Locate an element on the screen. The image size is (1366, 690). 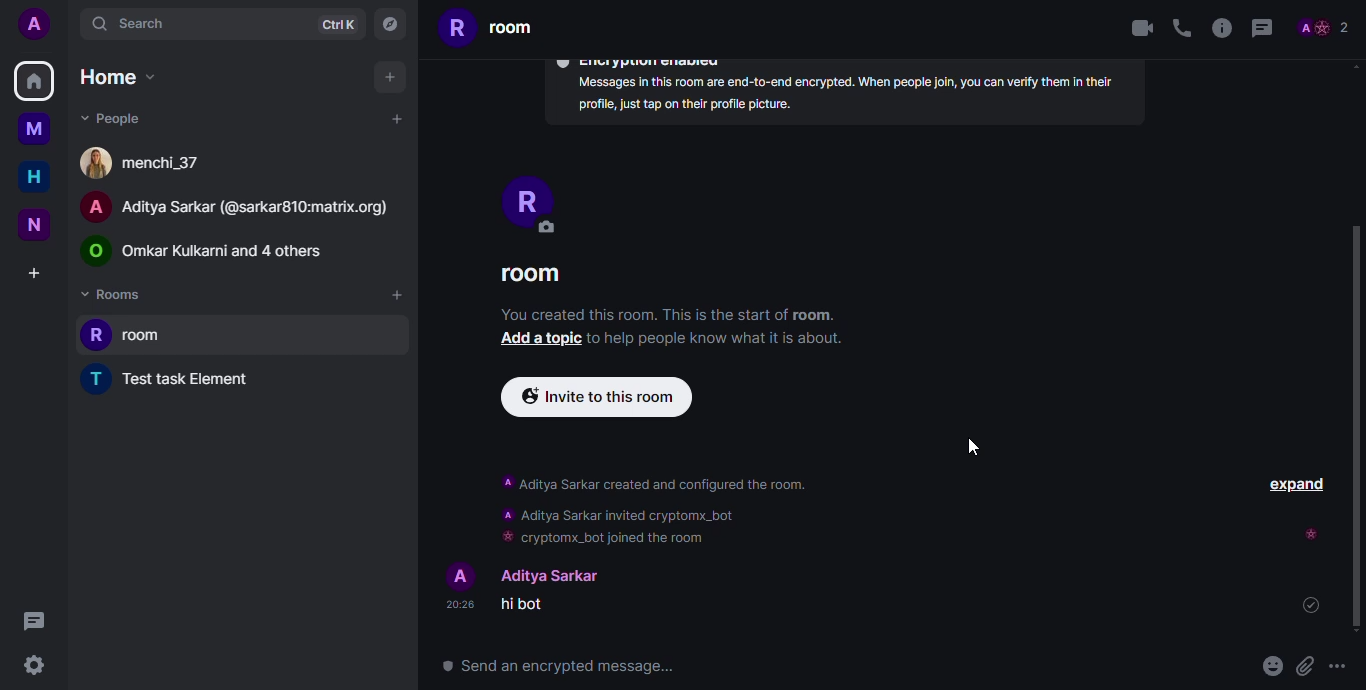
Invite to this room is located at coordinates (606, 400).